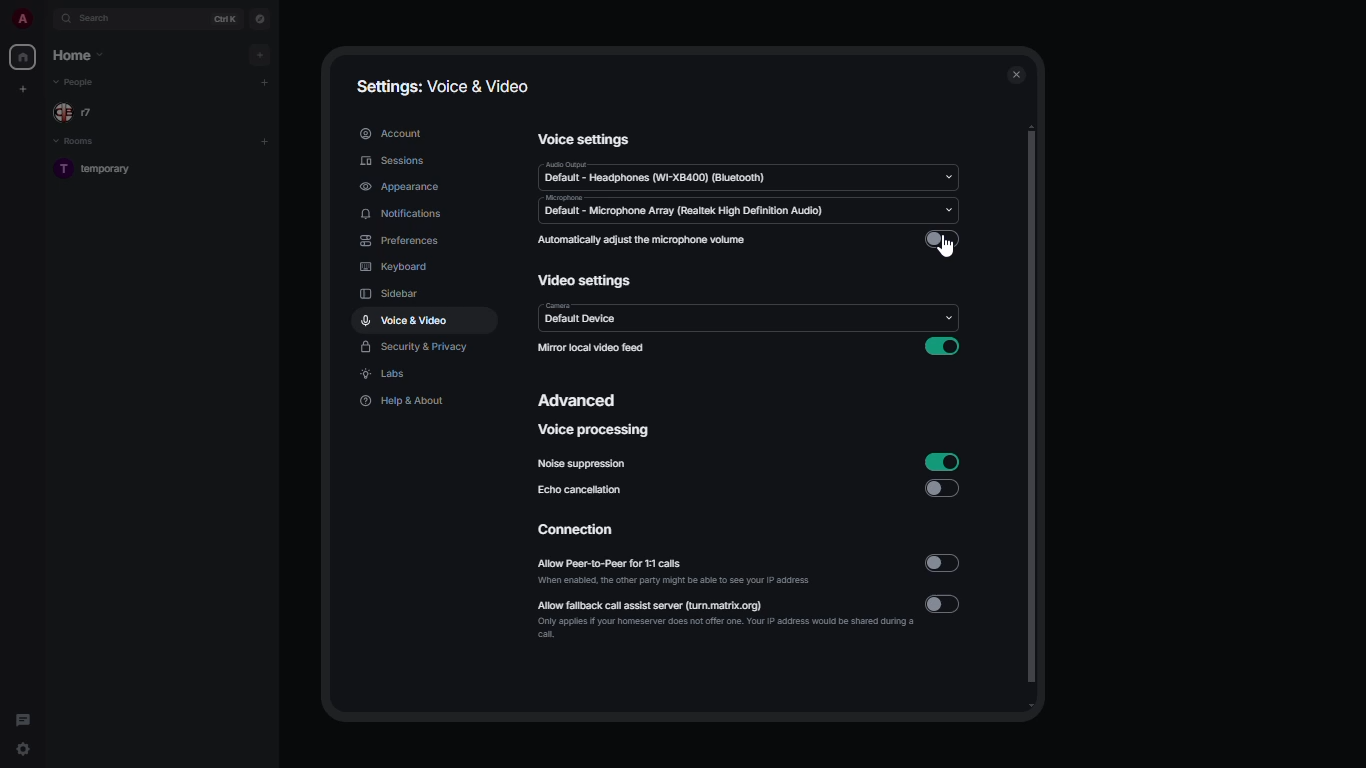  What do you see at coordinates (943, 563) in the screenshot?
I see `disabled` at bounding box center [943, 563].